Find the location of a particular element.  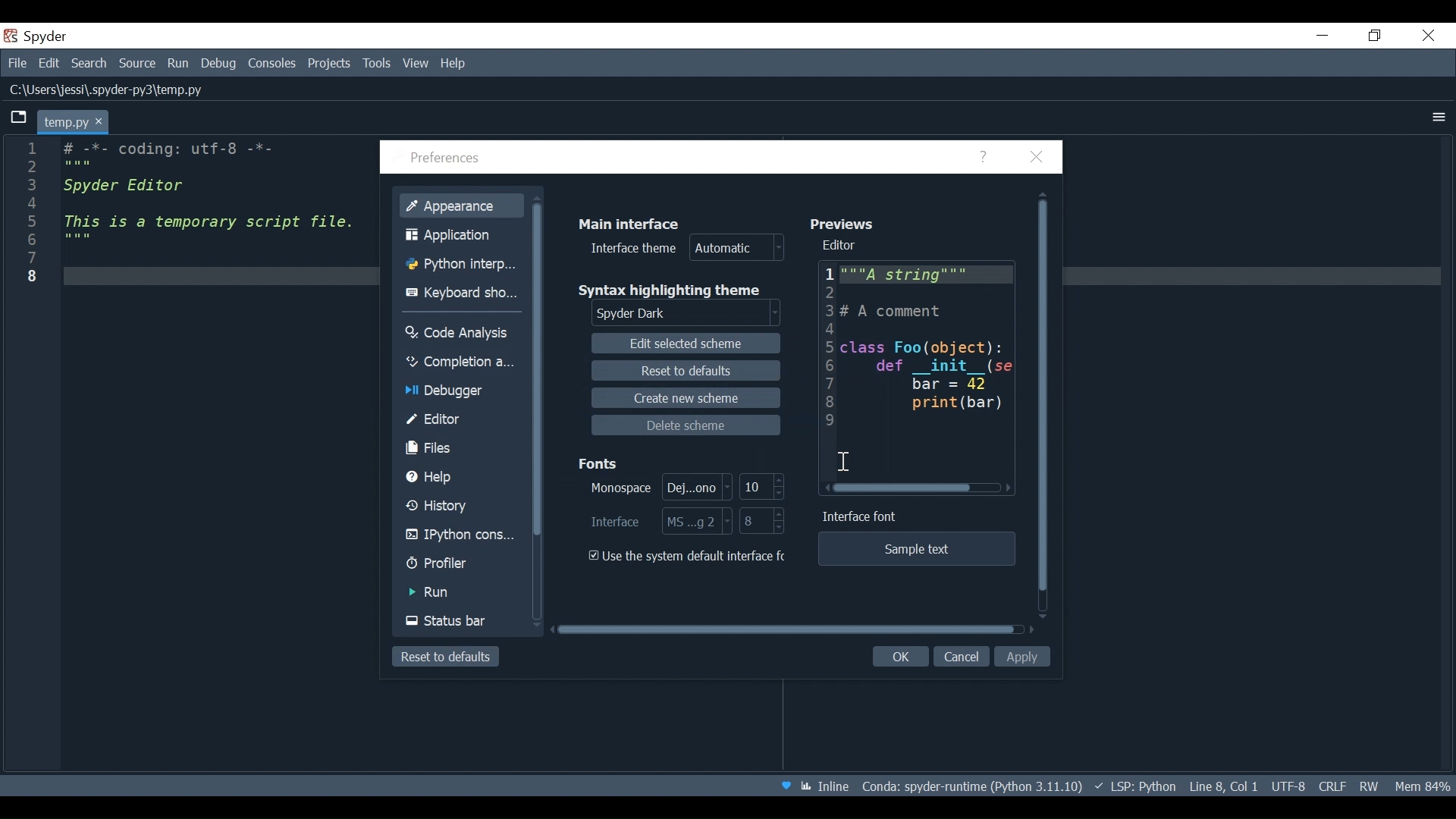

Vertical Scroll bar is located at coordinates (540, 371).